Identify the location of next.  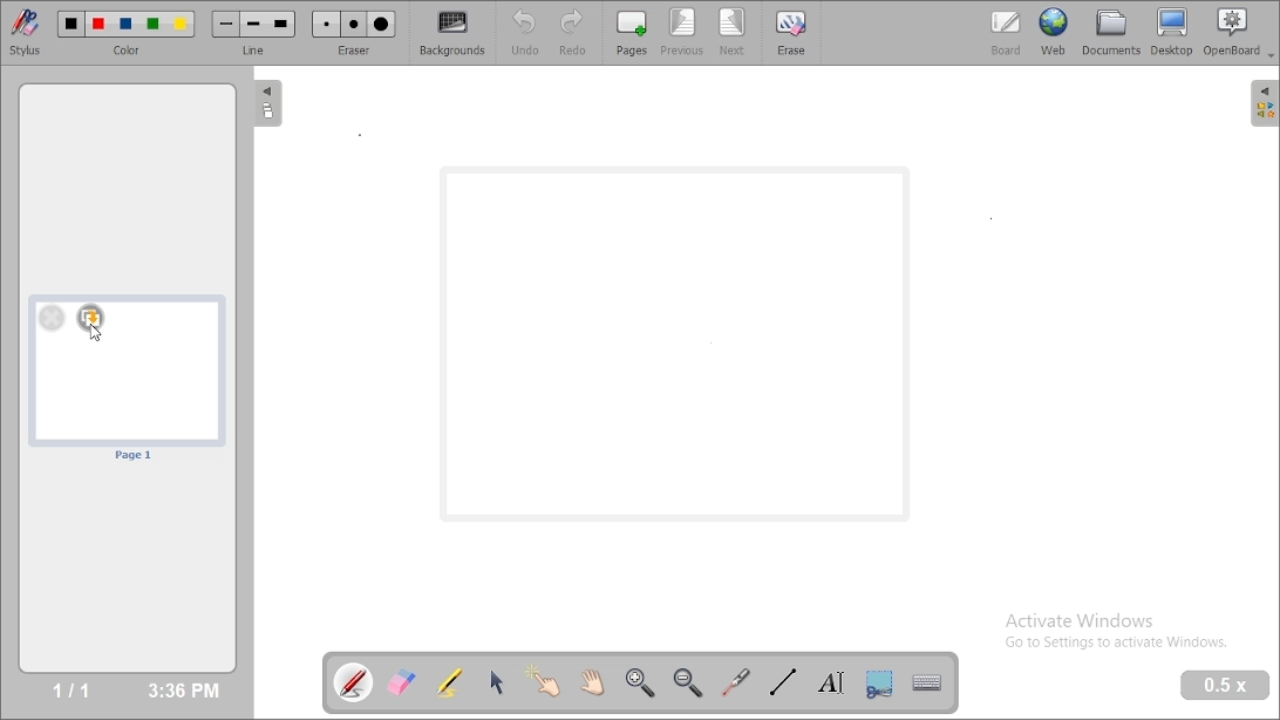
(733, 32).